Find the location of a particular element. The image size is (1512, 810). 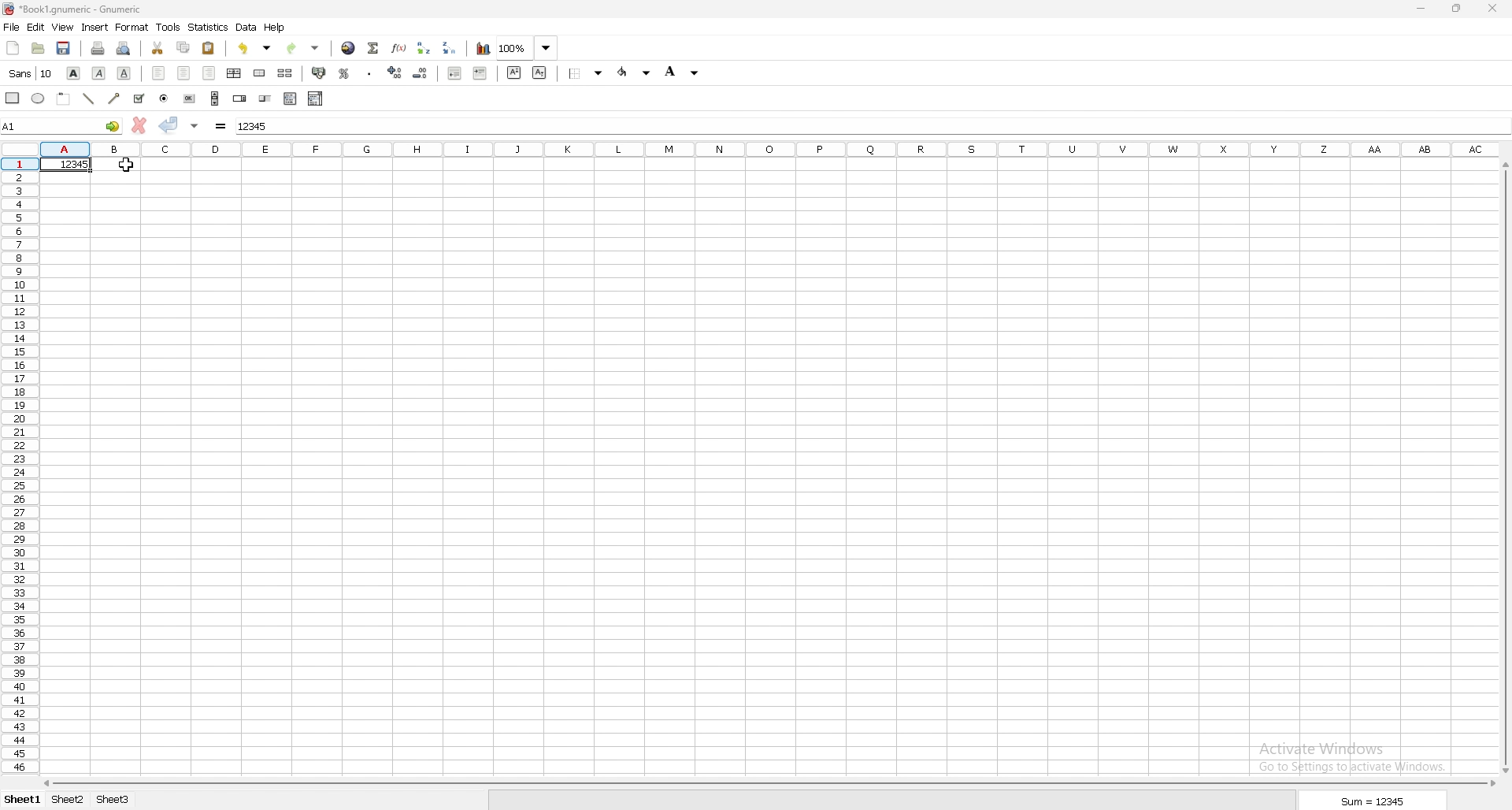

function is located at coordinates (398, 47).